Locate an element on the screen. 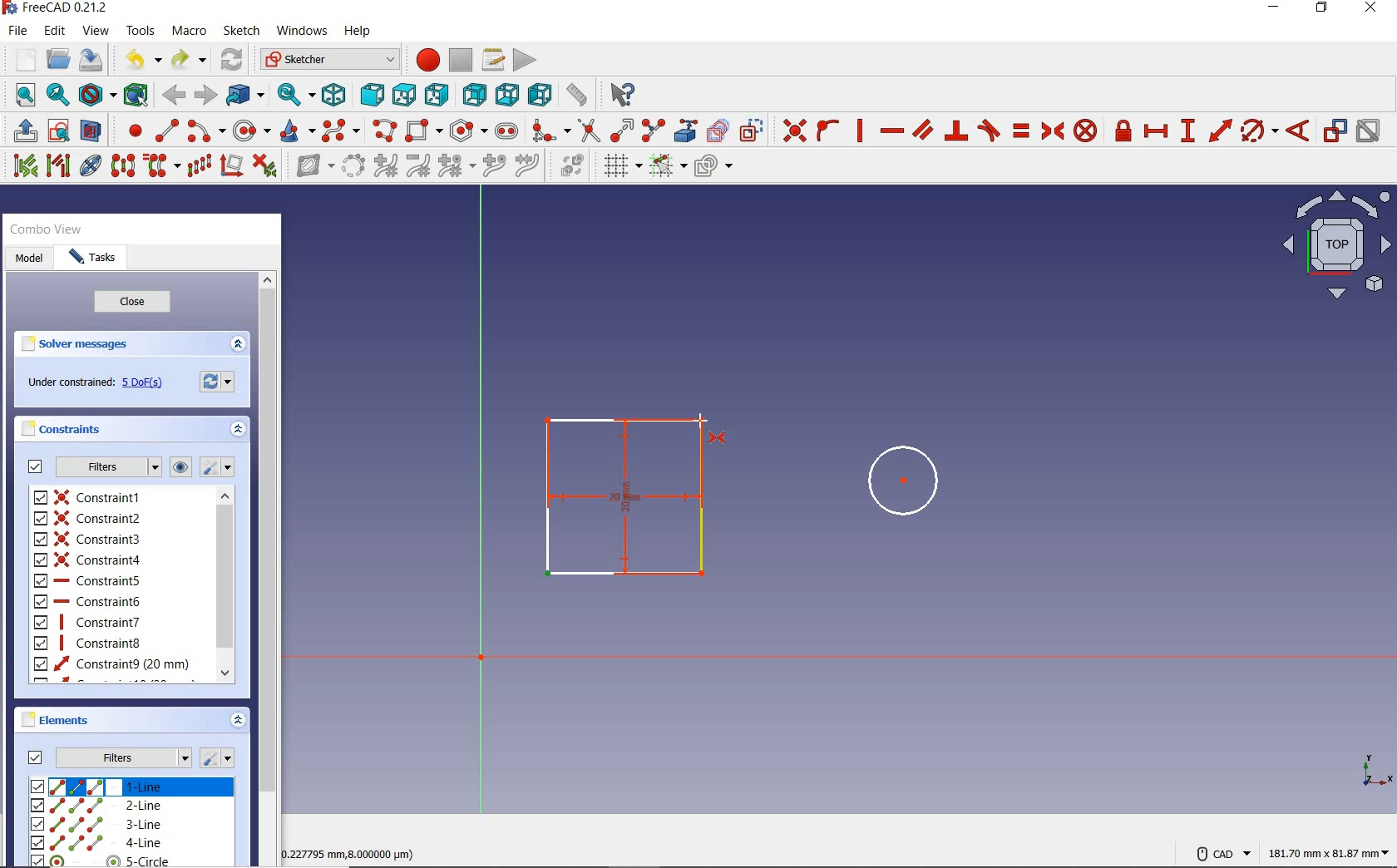 Image resolution: width=1397 pixels, height=868 pixels. fit all is located at coordinates (20, 96).